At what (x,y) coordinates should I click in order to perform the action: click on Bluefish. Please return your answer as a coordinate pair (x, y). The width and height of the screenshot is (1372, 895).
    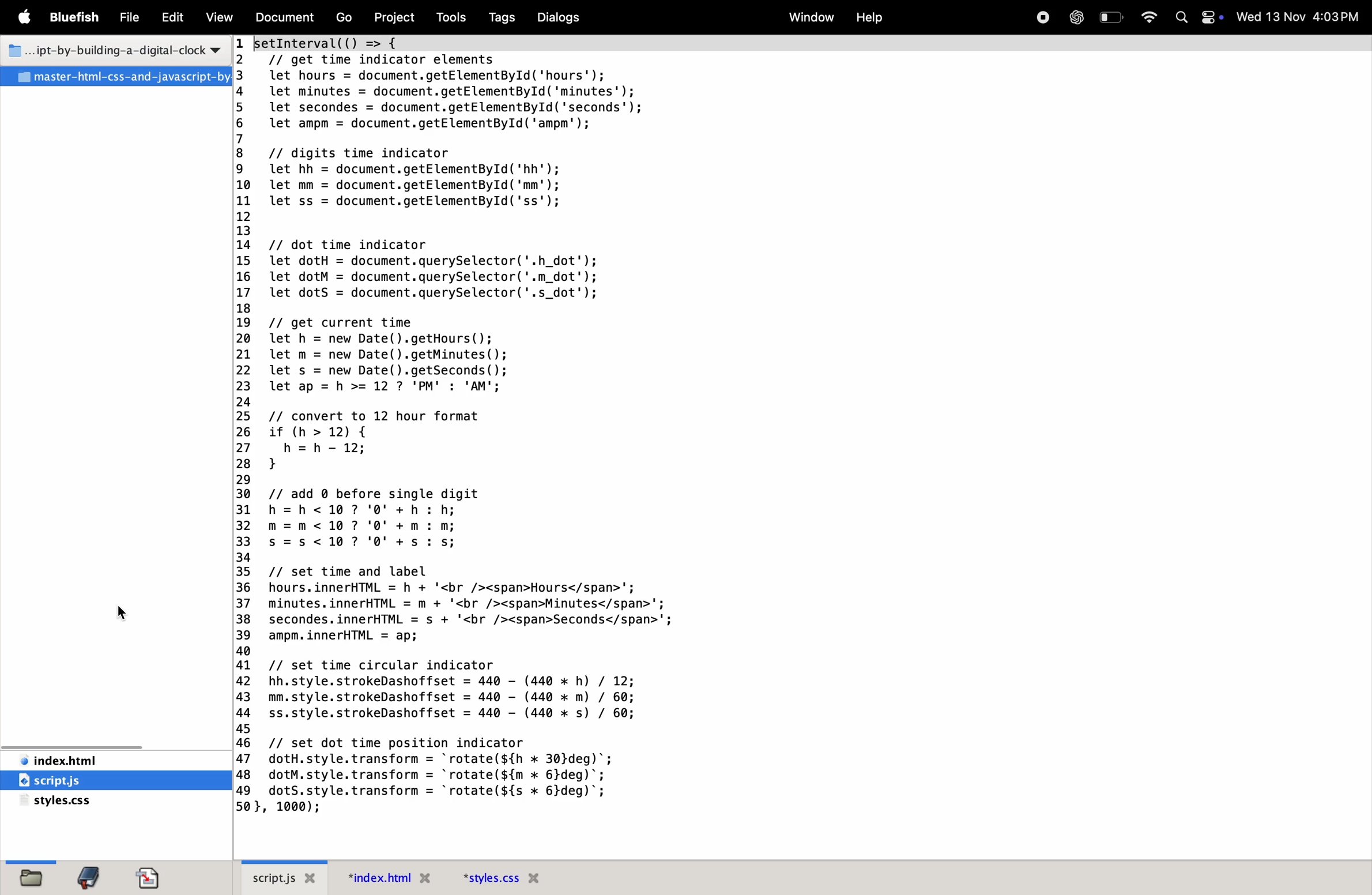
    Looking at the image, I should click on (75, 17).